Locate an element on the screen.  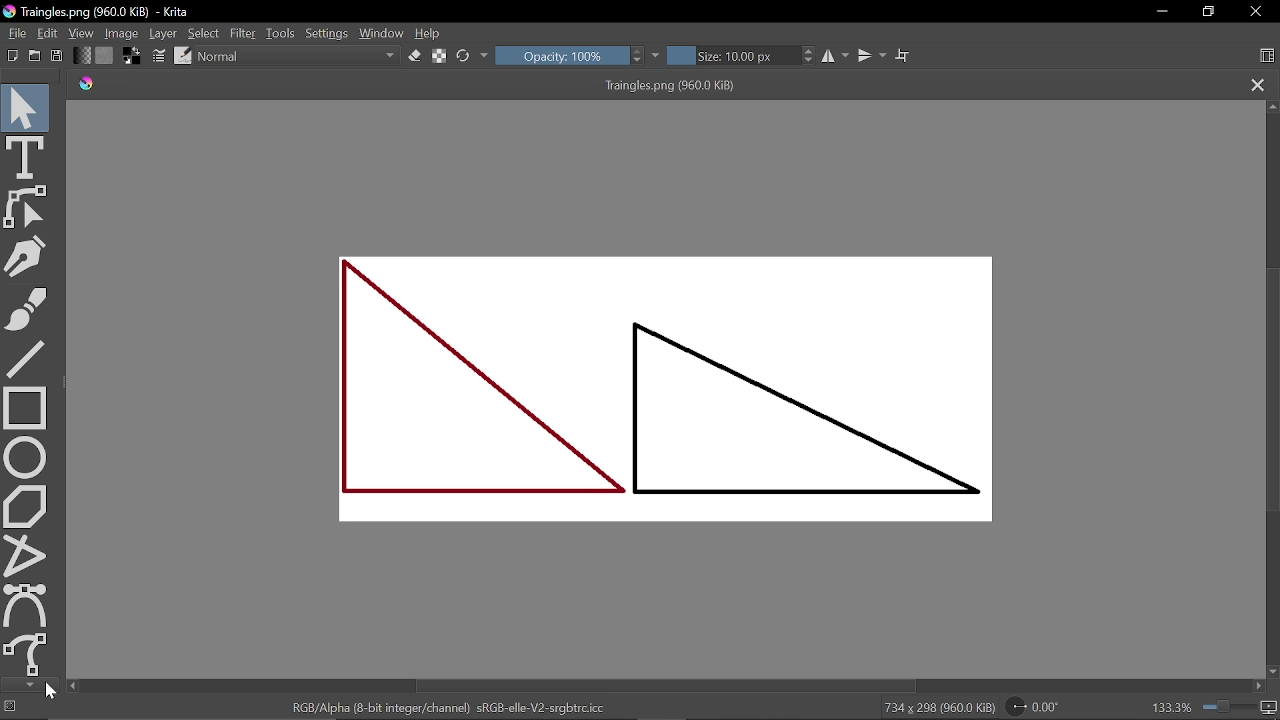
Bezier curve tool is located at coordinates (28, 606).